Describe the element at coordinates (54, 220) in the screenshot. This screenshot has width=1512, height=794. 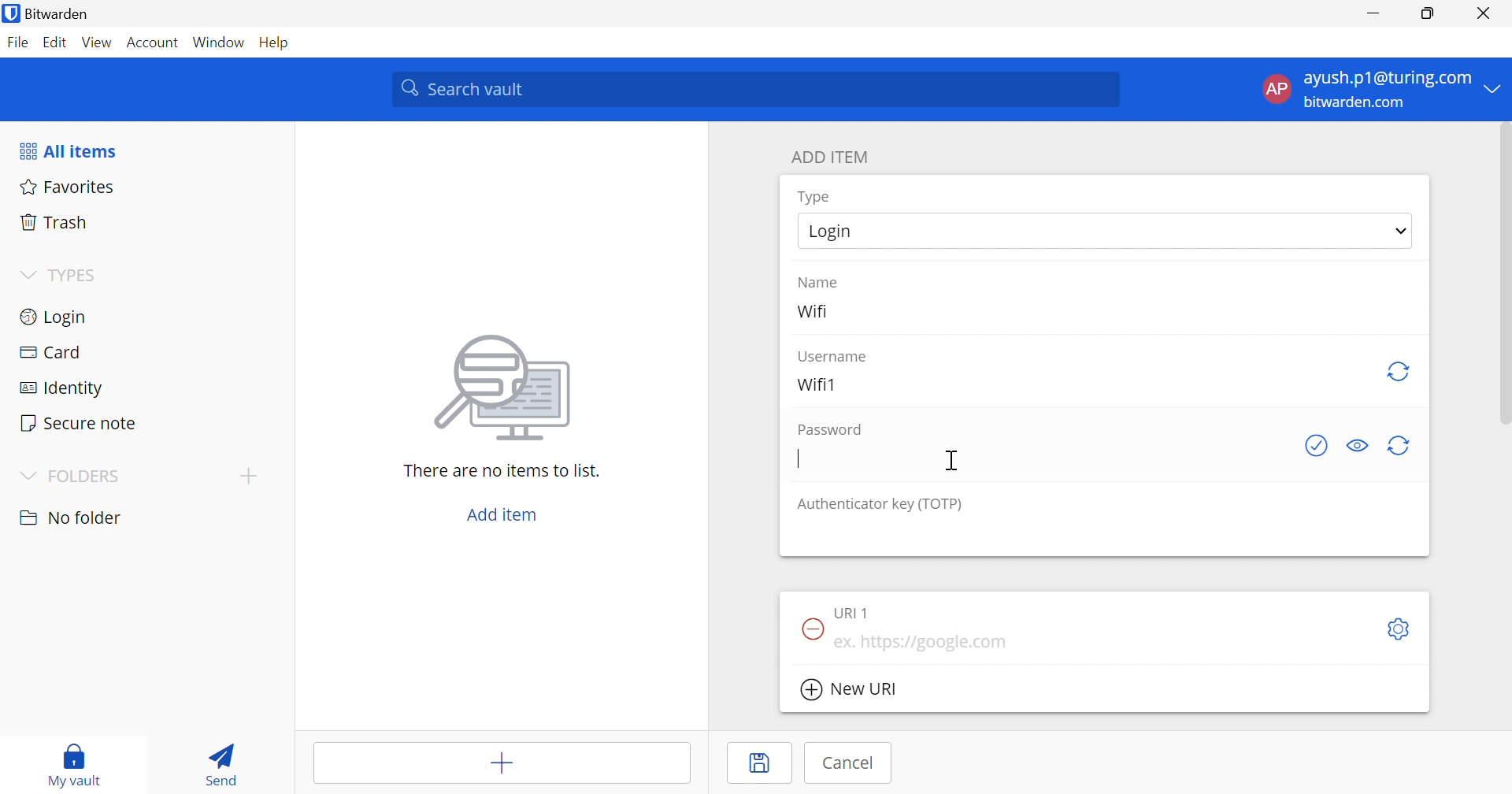
I see `Trash` at that location.